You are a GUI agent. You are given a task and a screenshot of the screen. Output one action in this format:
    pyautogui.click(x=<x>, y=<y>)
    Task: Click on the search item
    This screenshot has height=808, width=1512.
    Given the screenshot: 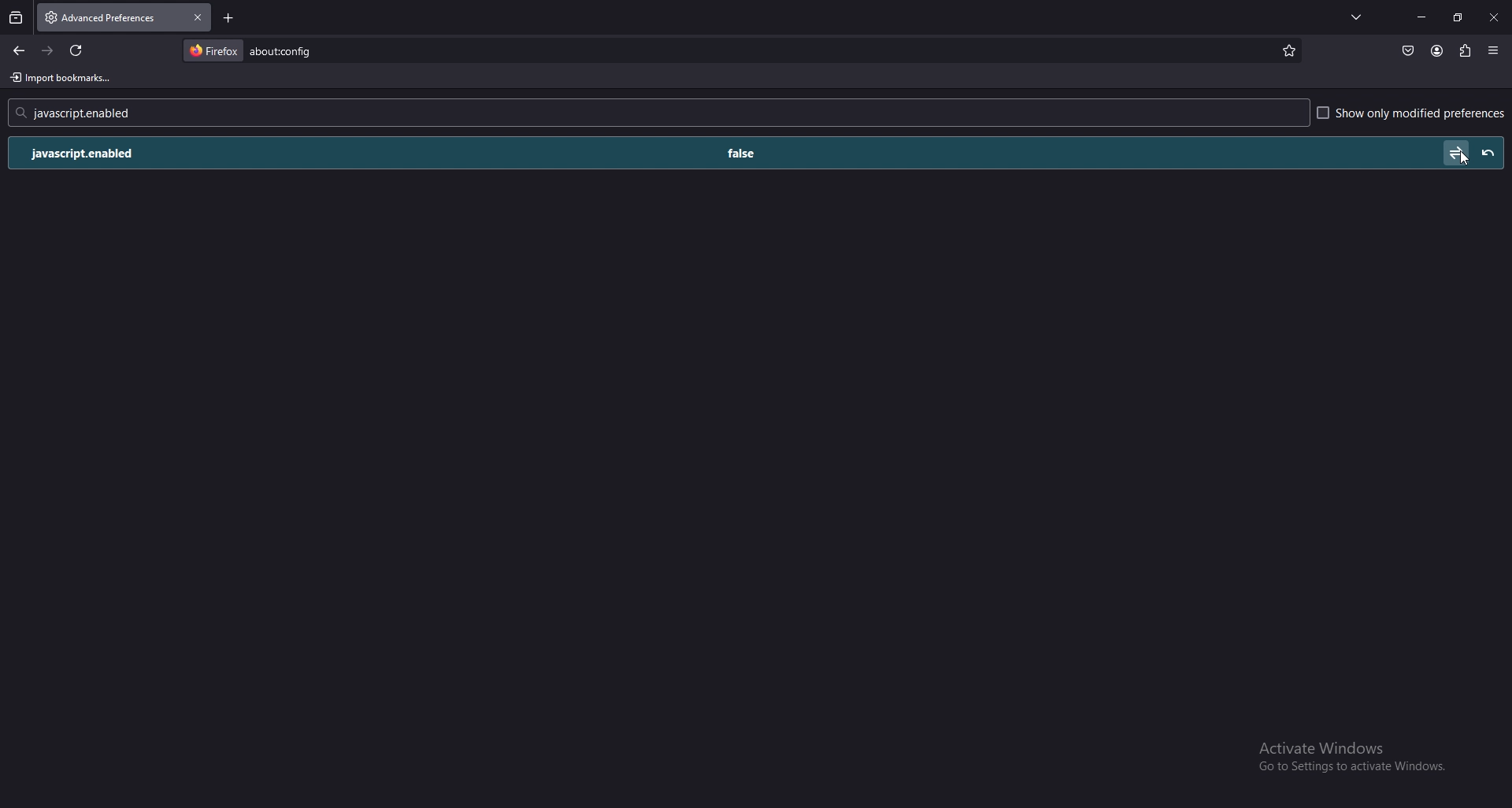 What is the action you would take?
    pyautogui.click(x=284, y=50)
    